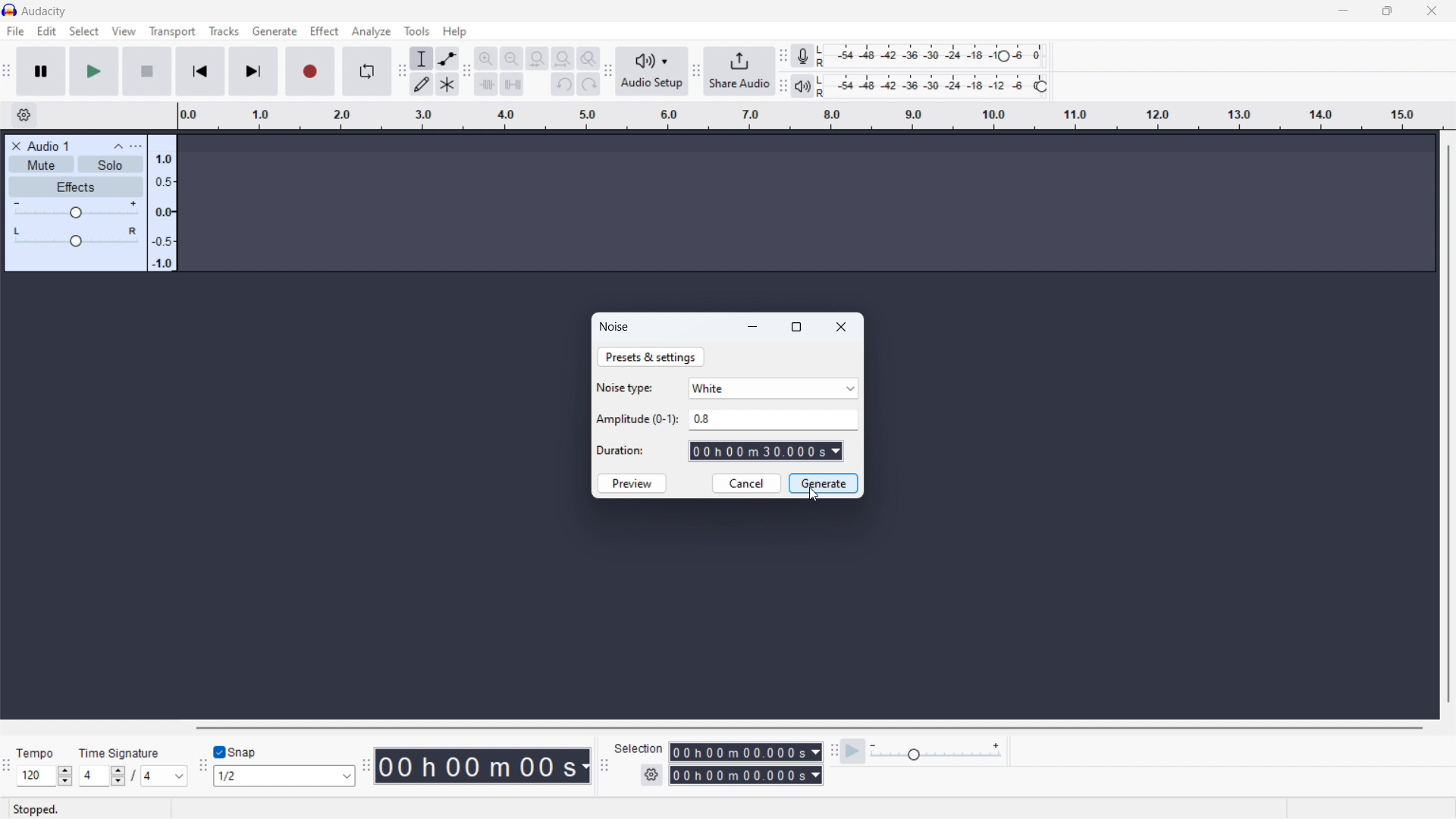 The height and width of the screenshot is (819, 1456). What do you see at coordinates (811, 117) in the screenshot?
I see `timeline` at bounding box center [811, 117].